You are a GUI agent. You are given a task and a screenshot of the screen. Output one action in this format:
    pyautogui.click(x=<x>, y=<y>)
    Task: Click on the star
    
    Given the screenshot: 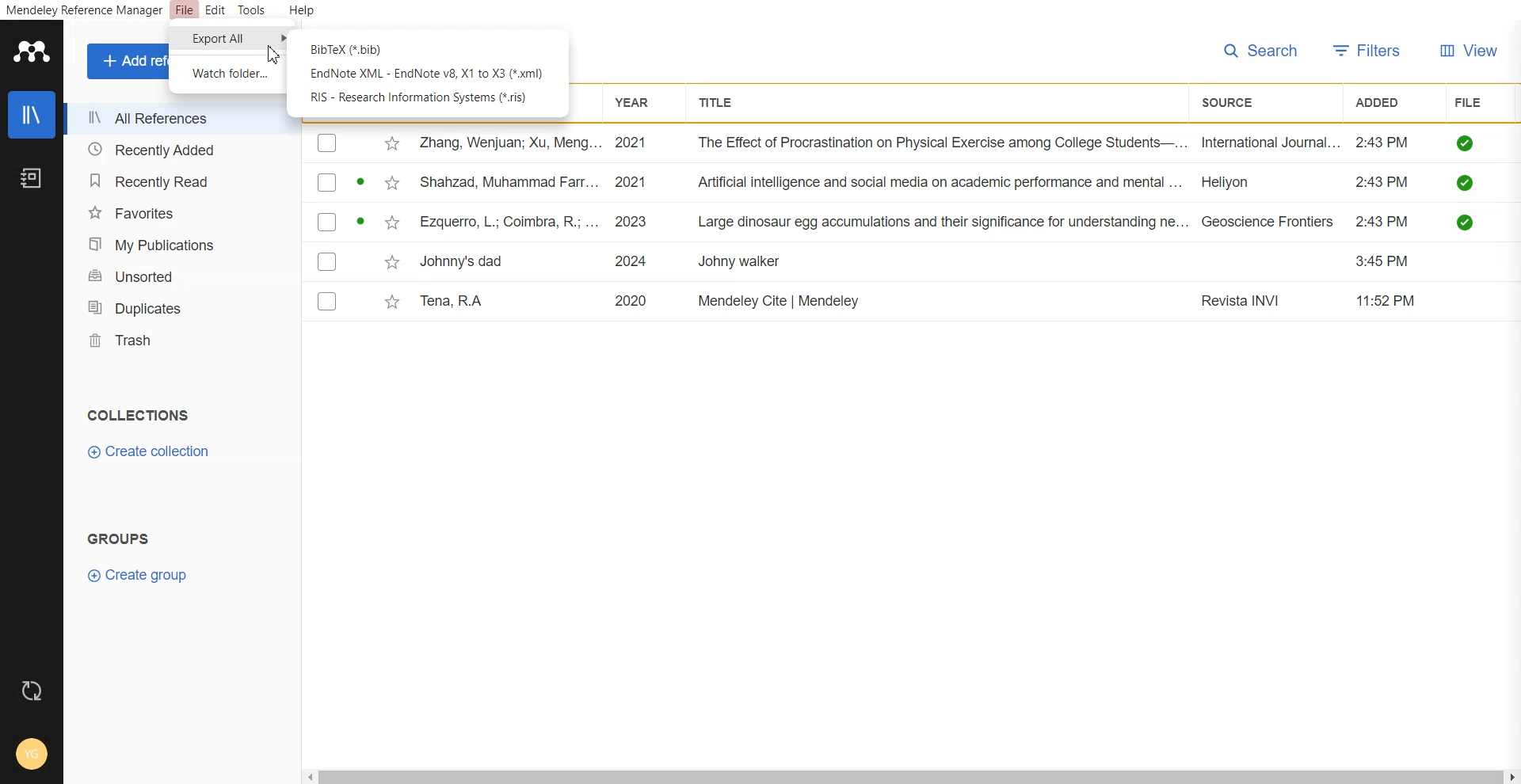 What is the action you would take?
    pyautogui.click(x=390, y=224)
    